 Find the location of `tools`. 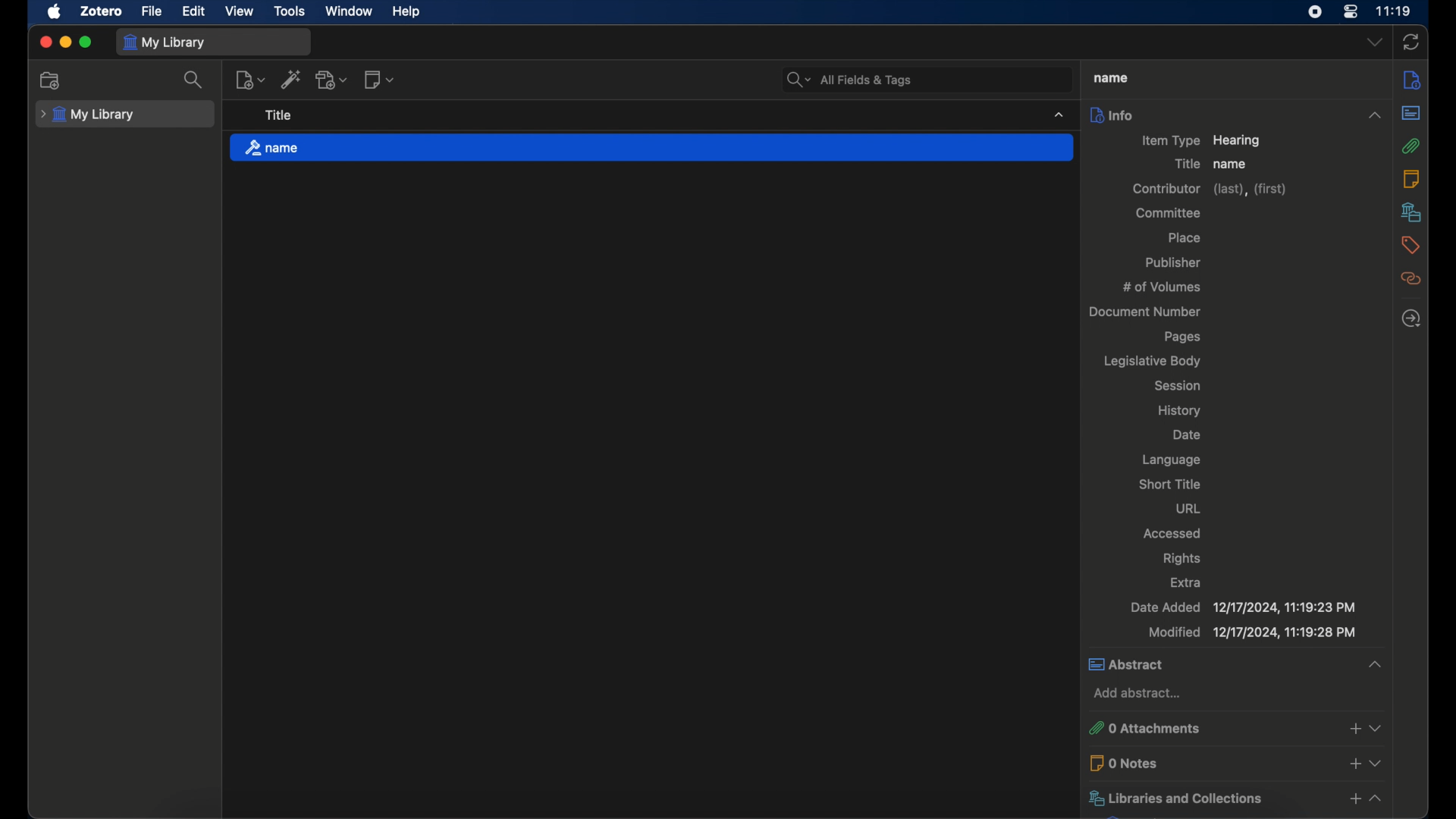

tools is located at coordinates (290, 10).